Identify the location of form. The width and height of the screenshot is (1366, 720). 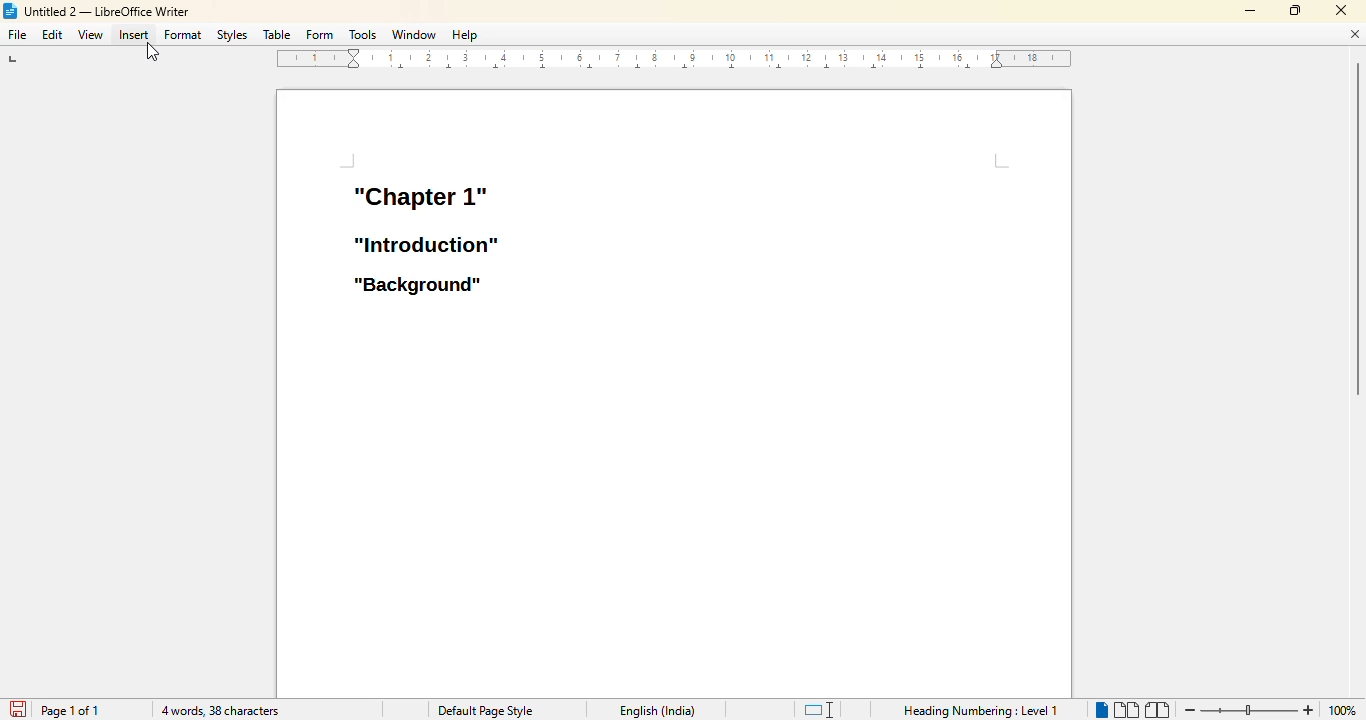
(320, 34).